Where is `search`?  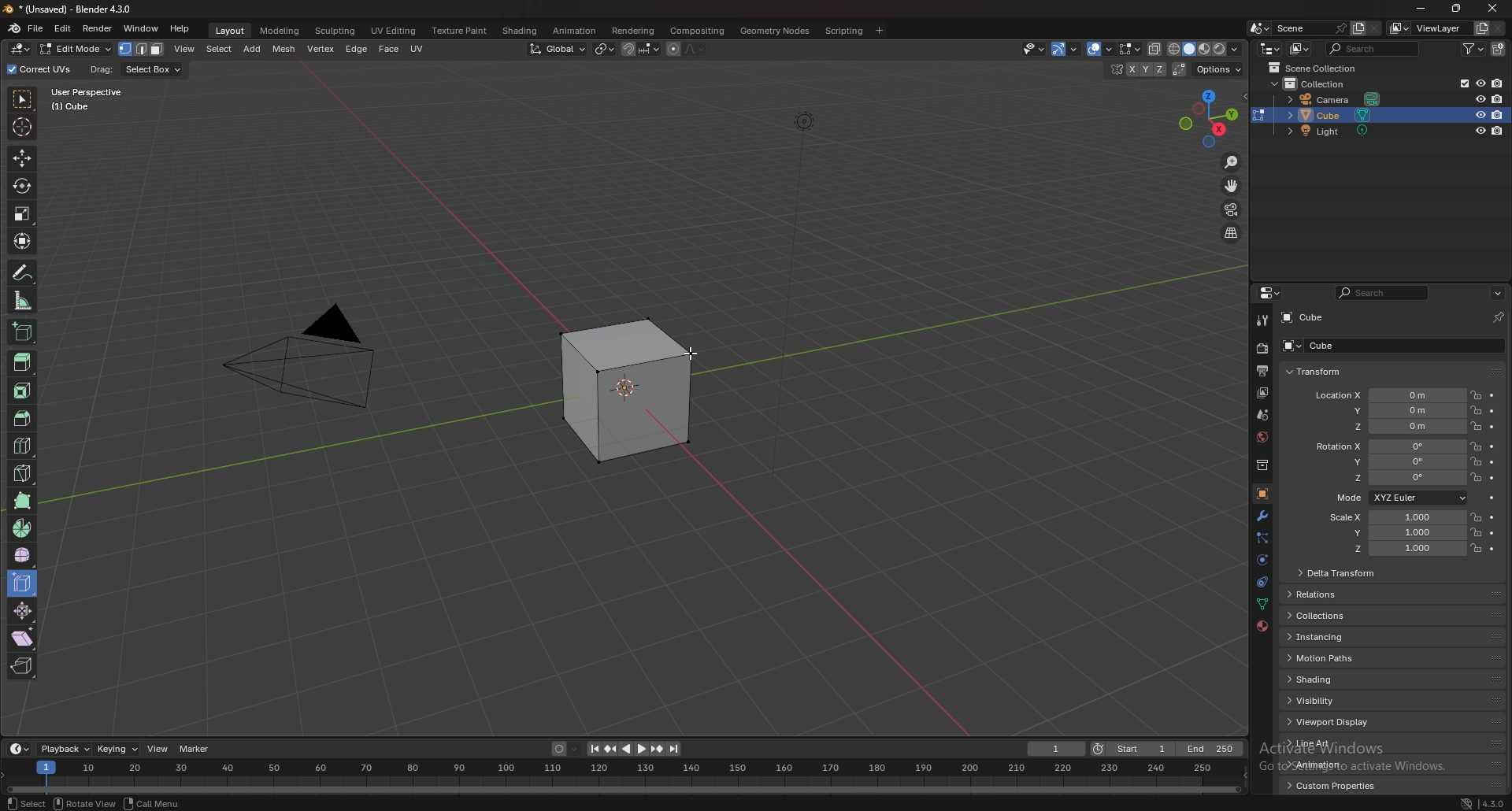 search is located at coordinates (1384, 293).